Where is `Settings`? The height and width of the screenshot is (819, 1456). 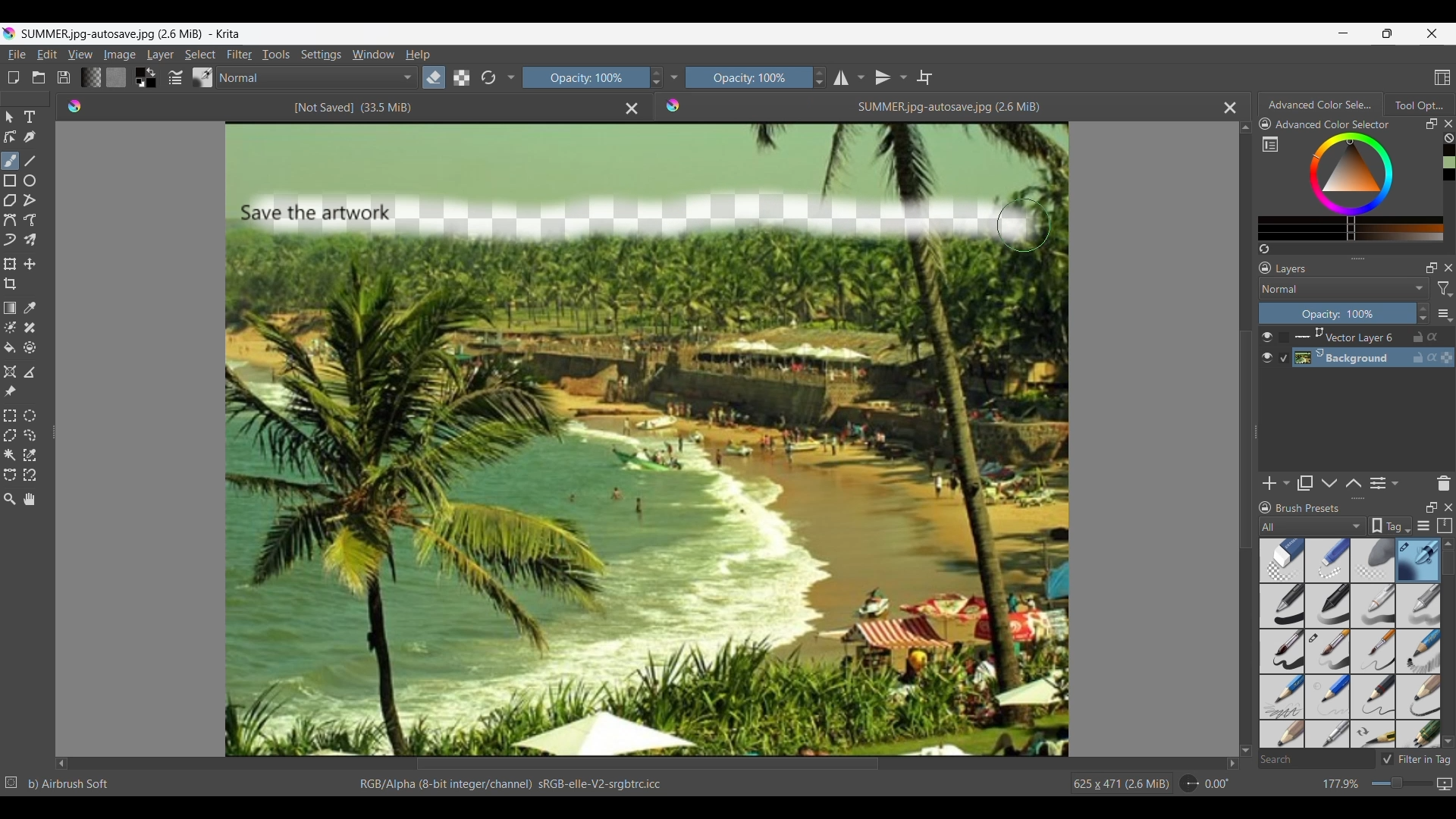 Settings is located at coordinates (322, 55).